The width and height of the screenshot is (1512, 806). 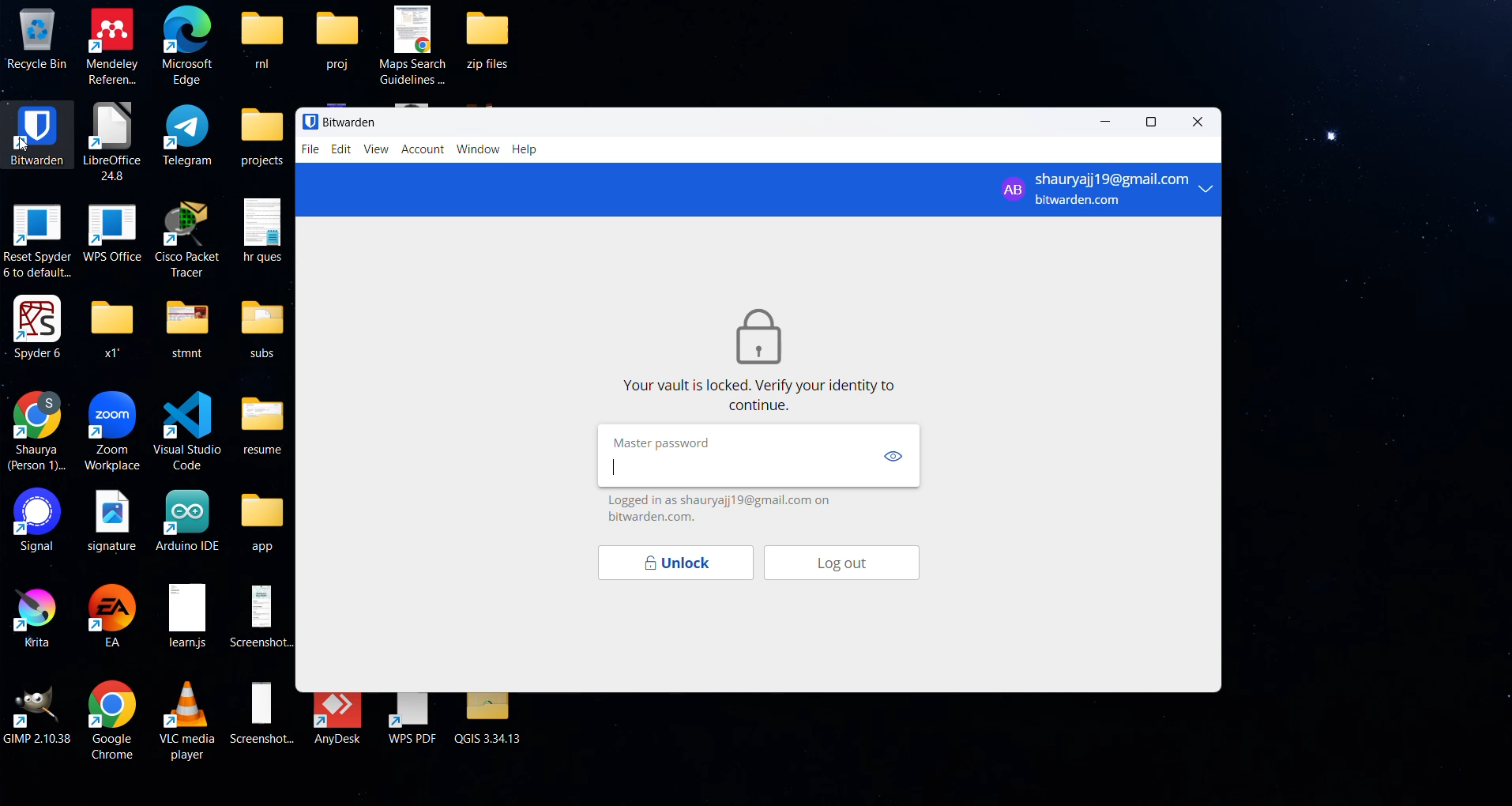 I want to click on projects, so click(x=262, y=137).